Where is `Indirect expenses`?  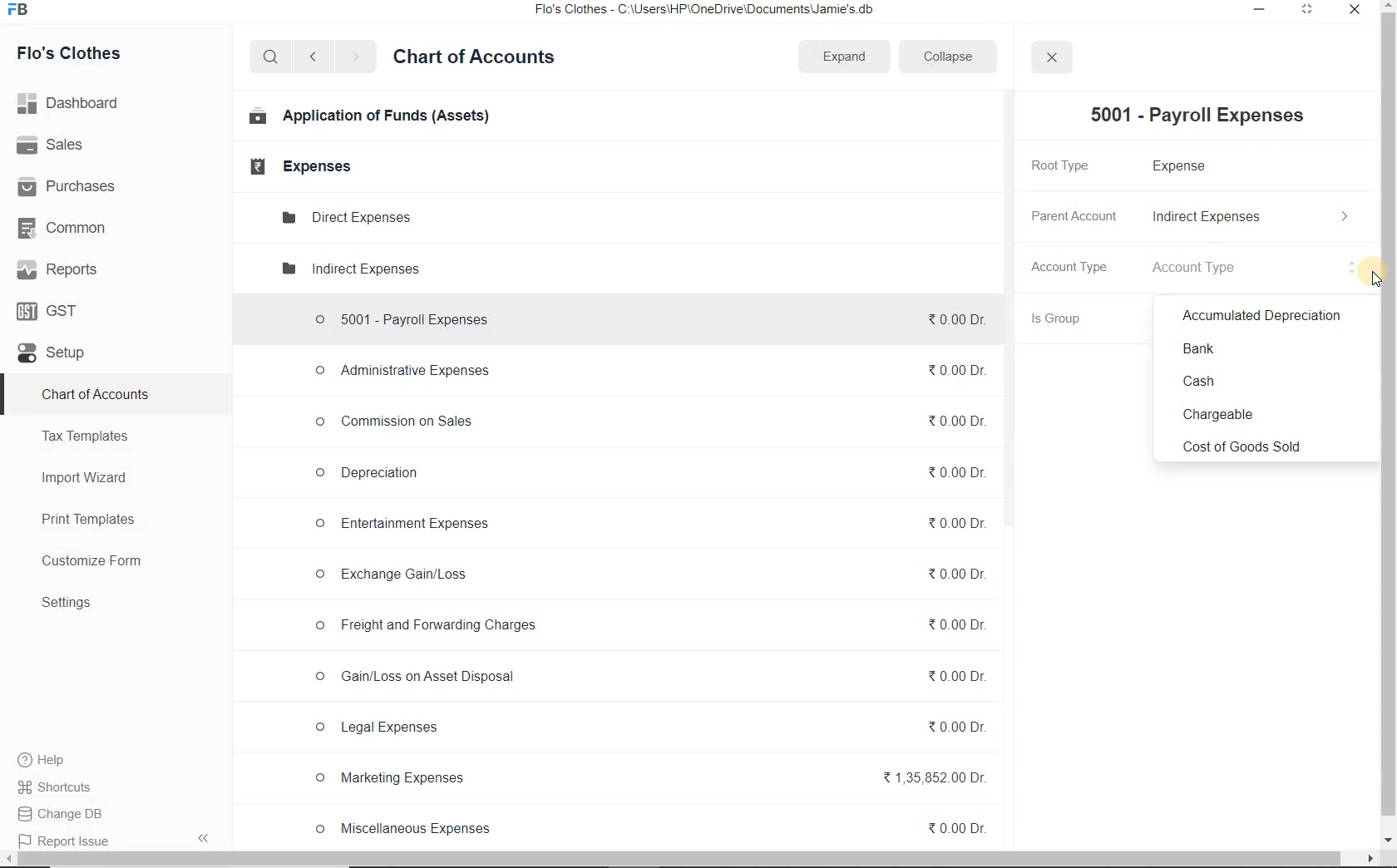 Indirect expenses is located at coordinates (348, 272).